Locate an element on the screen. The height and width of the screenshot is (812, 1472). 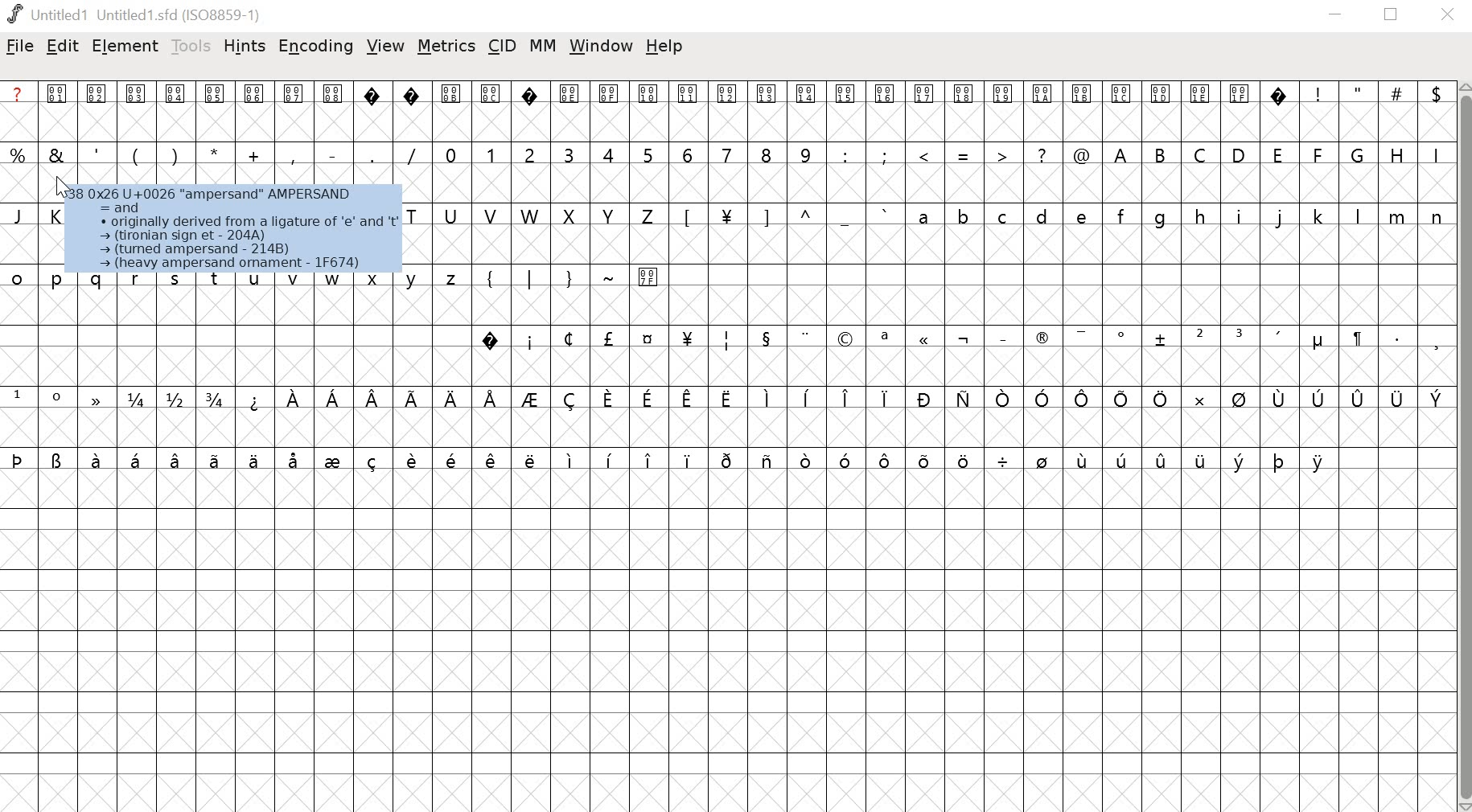
symbol is located at coordinates (688, 459).